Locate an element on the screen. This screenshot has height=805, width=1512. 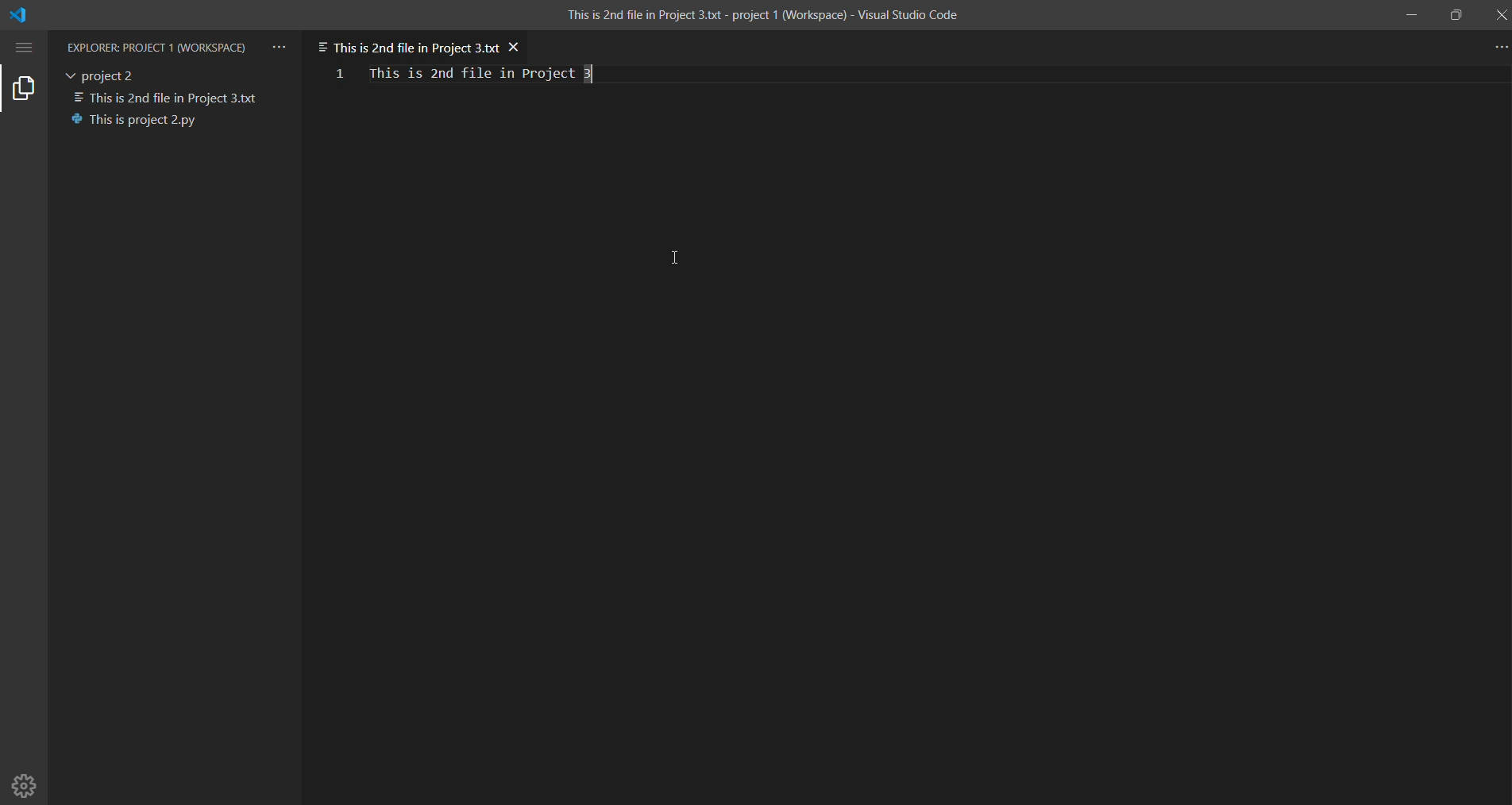
This is 2nd file in Project 3.txt - project 1 (Workspace) - Visual Studio Code is located at coordinates (763, 17).